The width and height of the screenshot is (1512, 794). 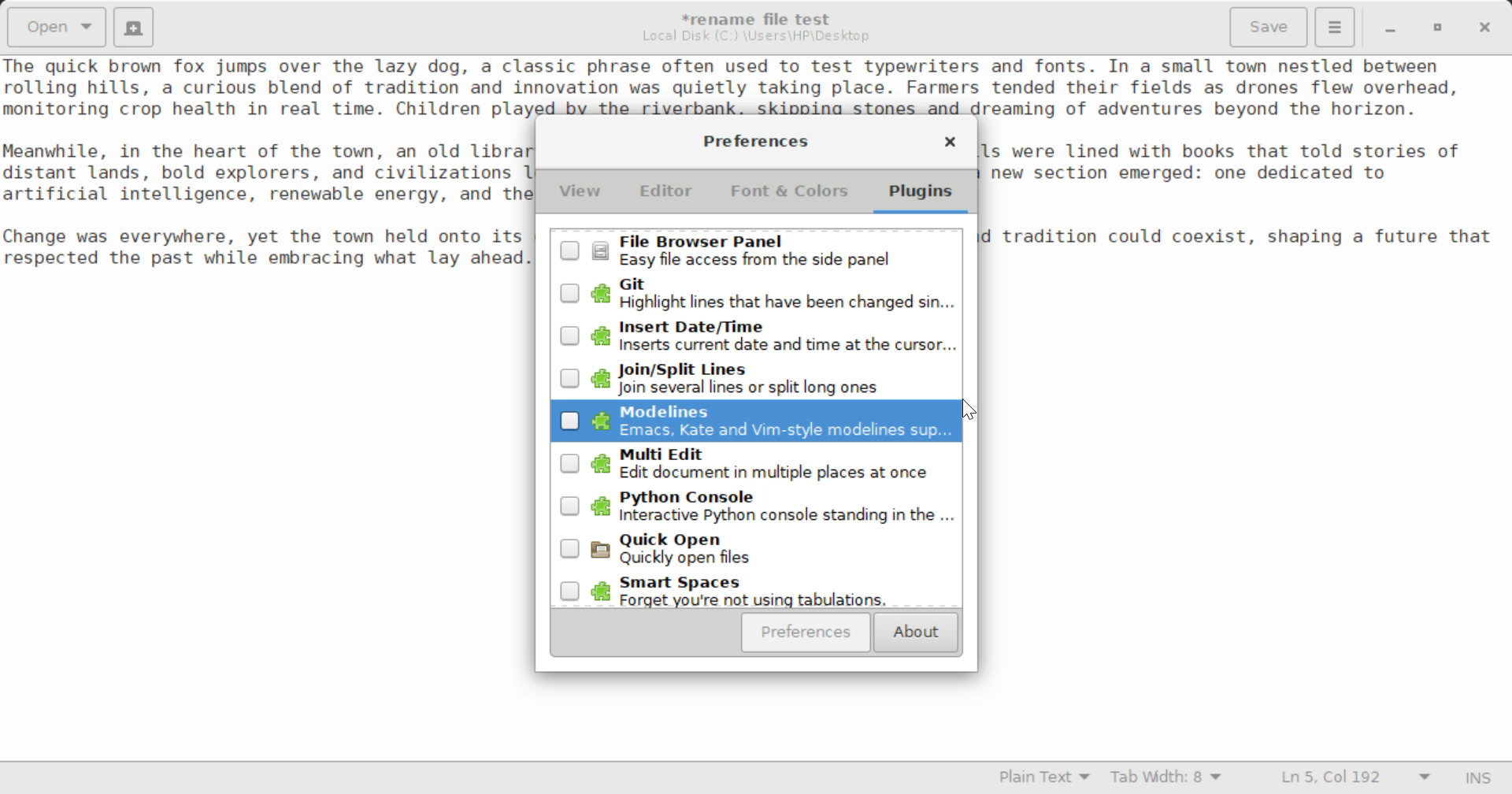 What do you see at coordinates (754, 592) in the screenshot?
I see `Unselected Smart Spaces` at bounding box center [754, 592].